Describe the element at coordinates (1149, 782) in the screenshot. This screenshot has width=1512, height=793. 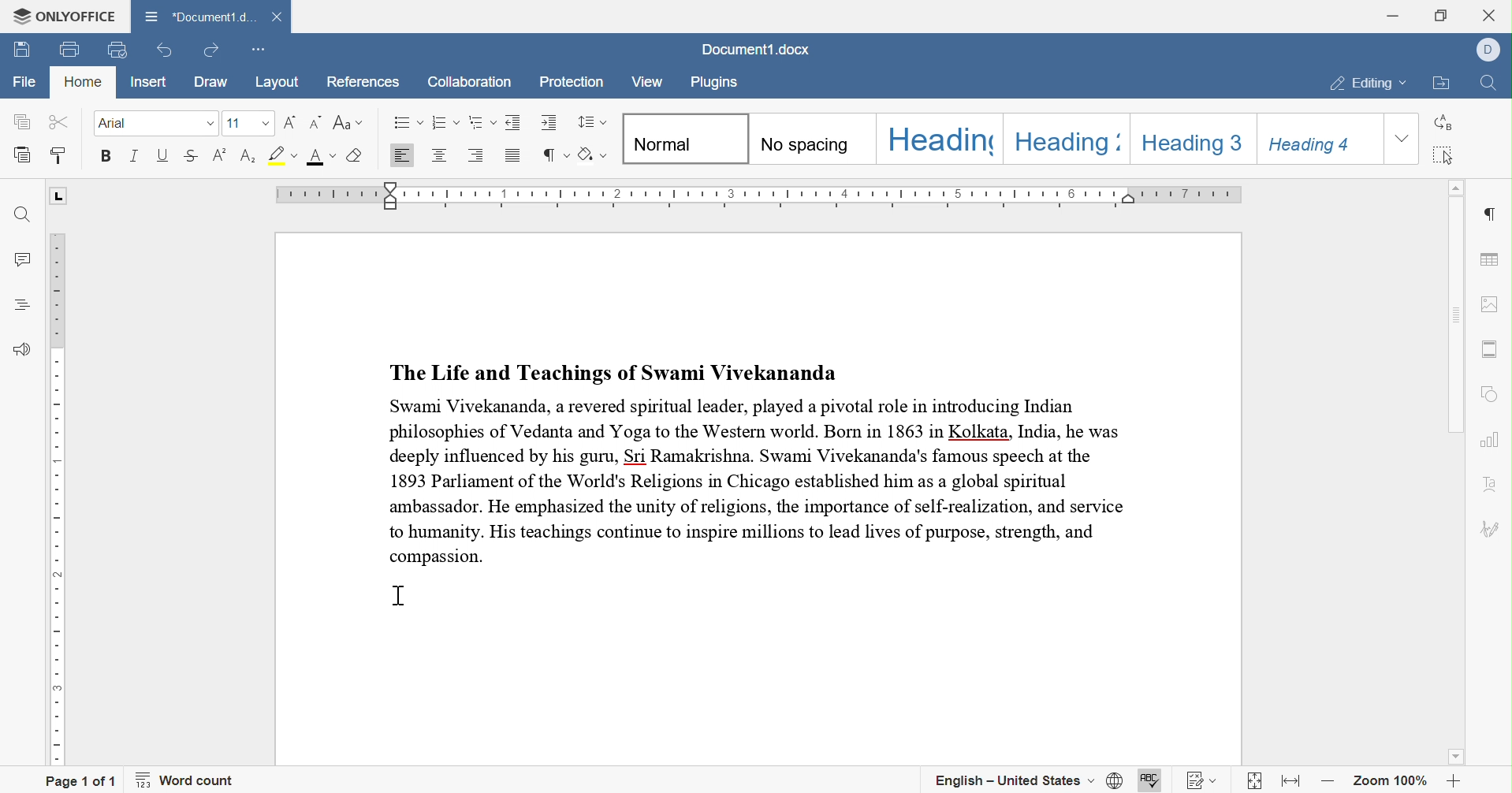
I see `spell checking` at that location.